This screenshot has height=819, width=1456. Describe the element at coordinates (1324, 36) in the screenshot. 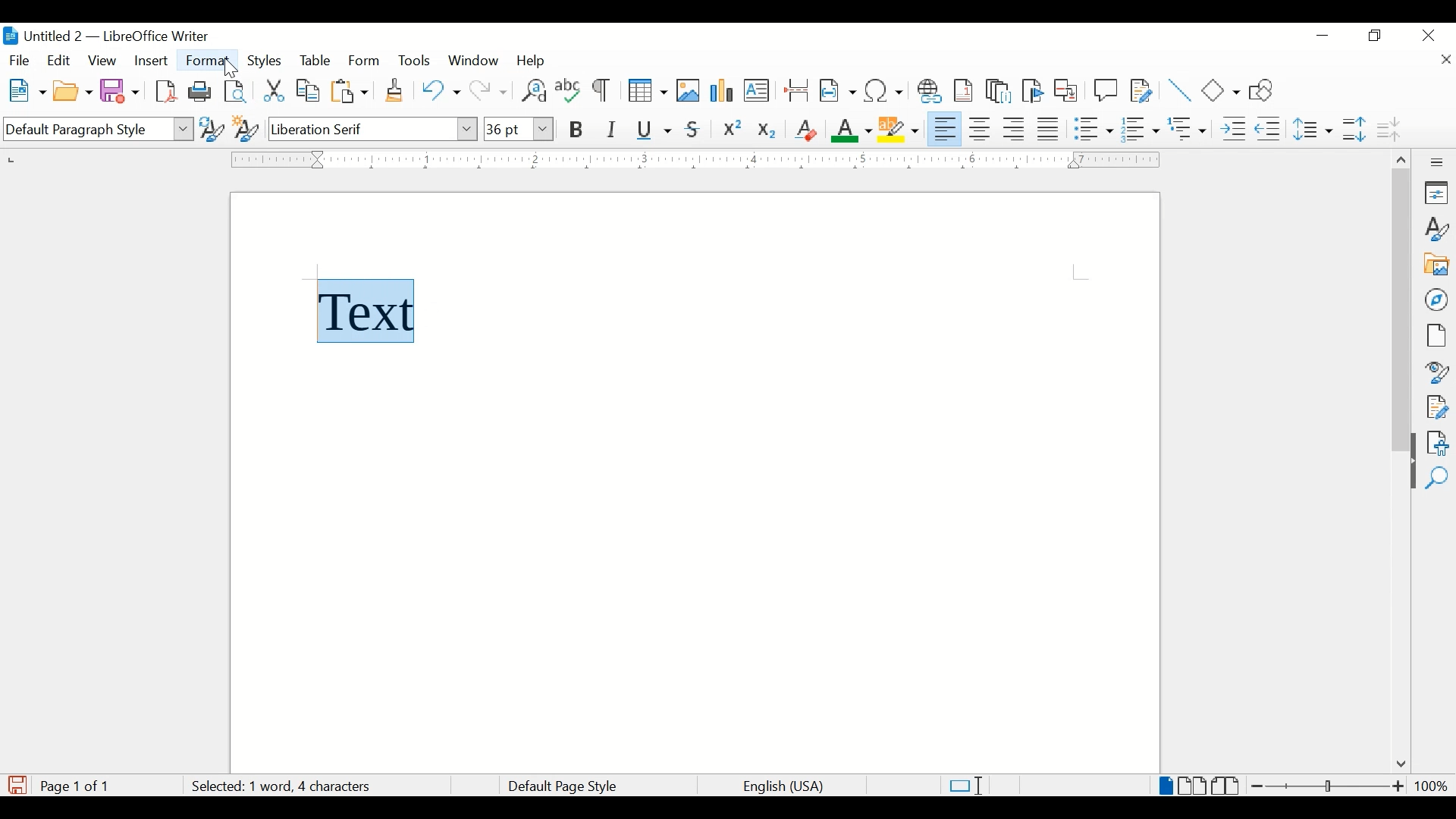

I see `minimize` at that location.